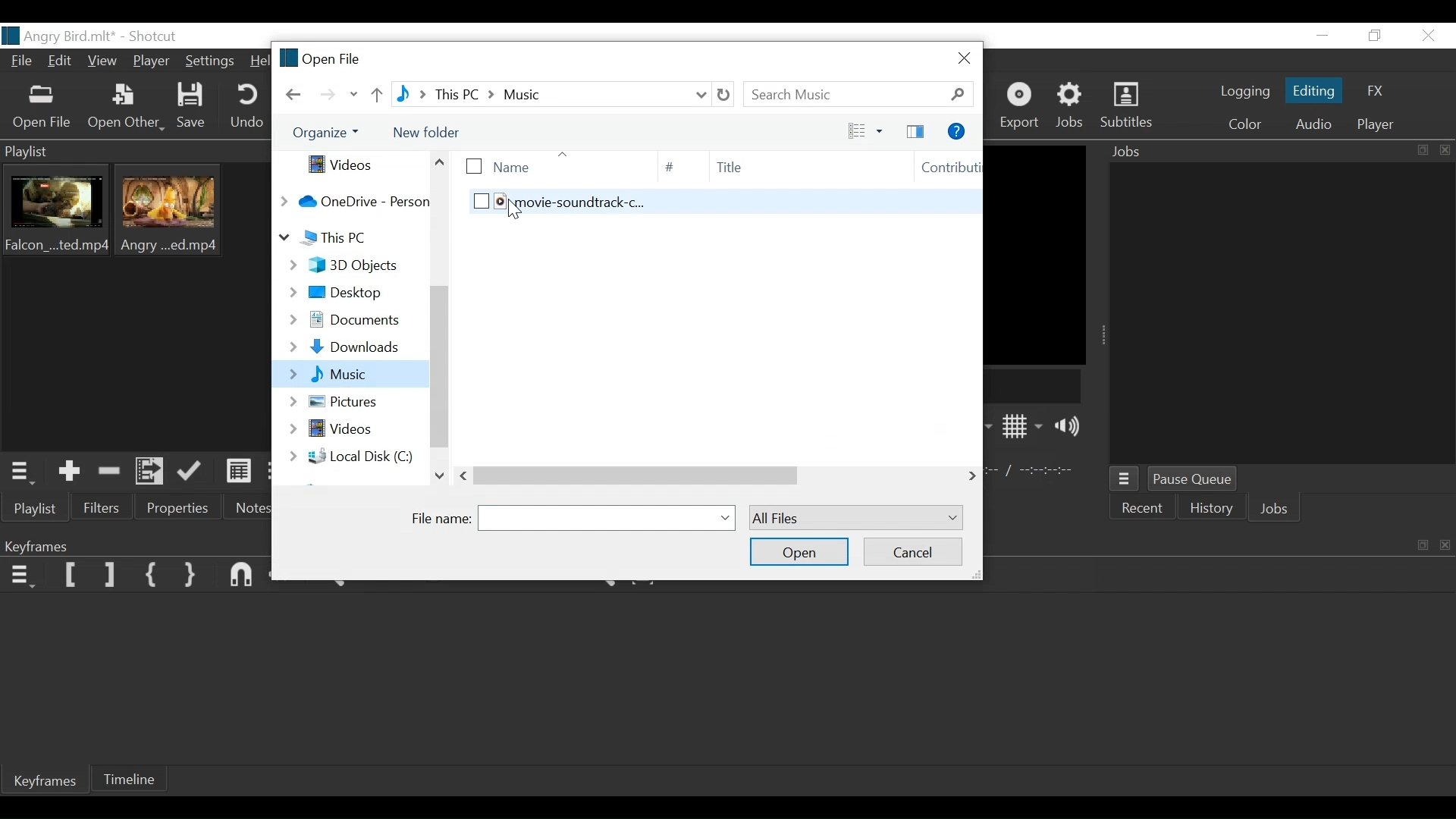  I want to click on Open File, so click(43, 108).